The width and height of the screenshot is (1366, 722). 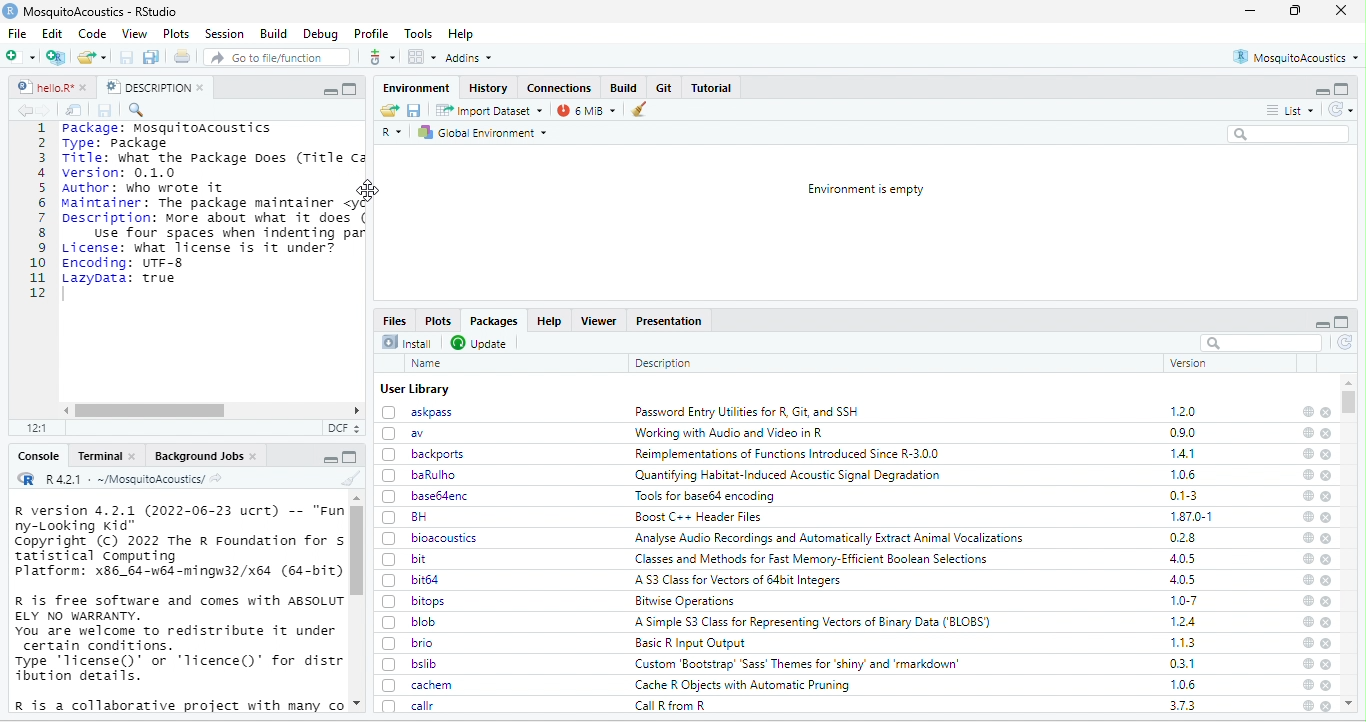 What do you see at coordinates (488, 89) in the screenshot?
I see `History` at bounding box center [488, 89].